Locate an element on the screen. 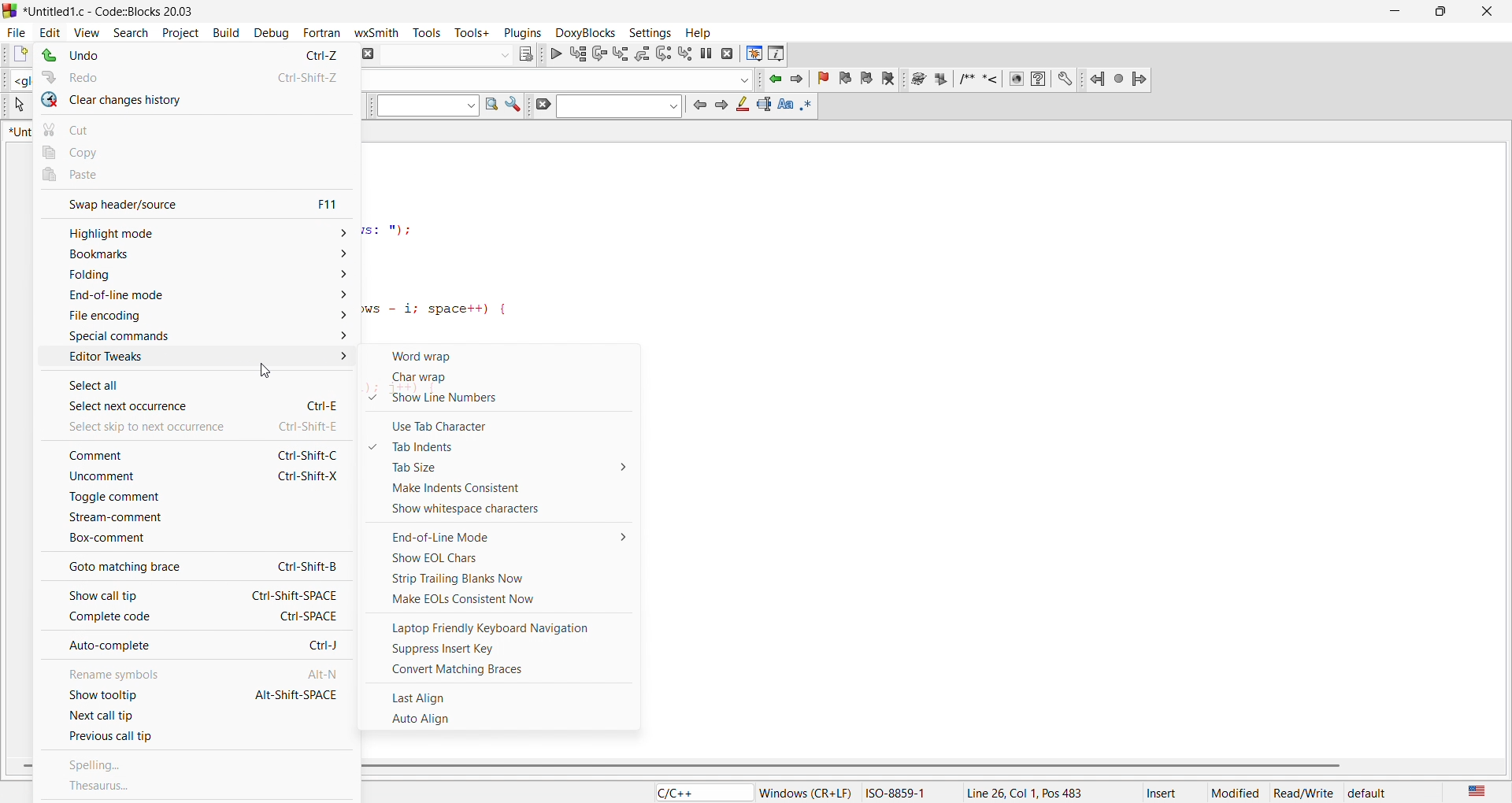  clear changes history is located at coordinates (195, 100).